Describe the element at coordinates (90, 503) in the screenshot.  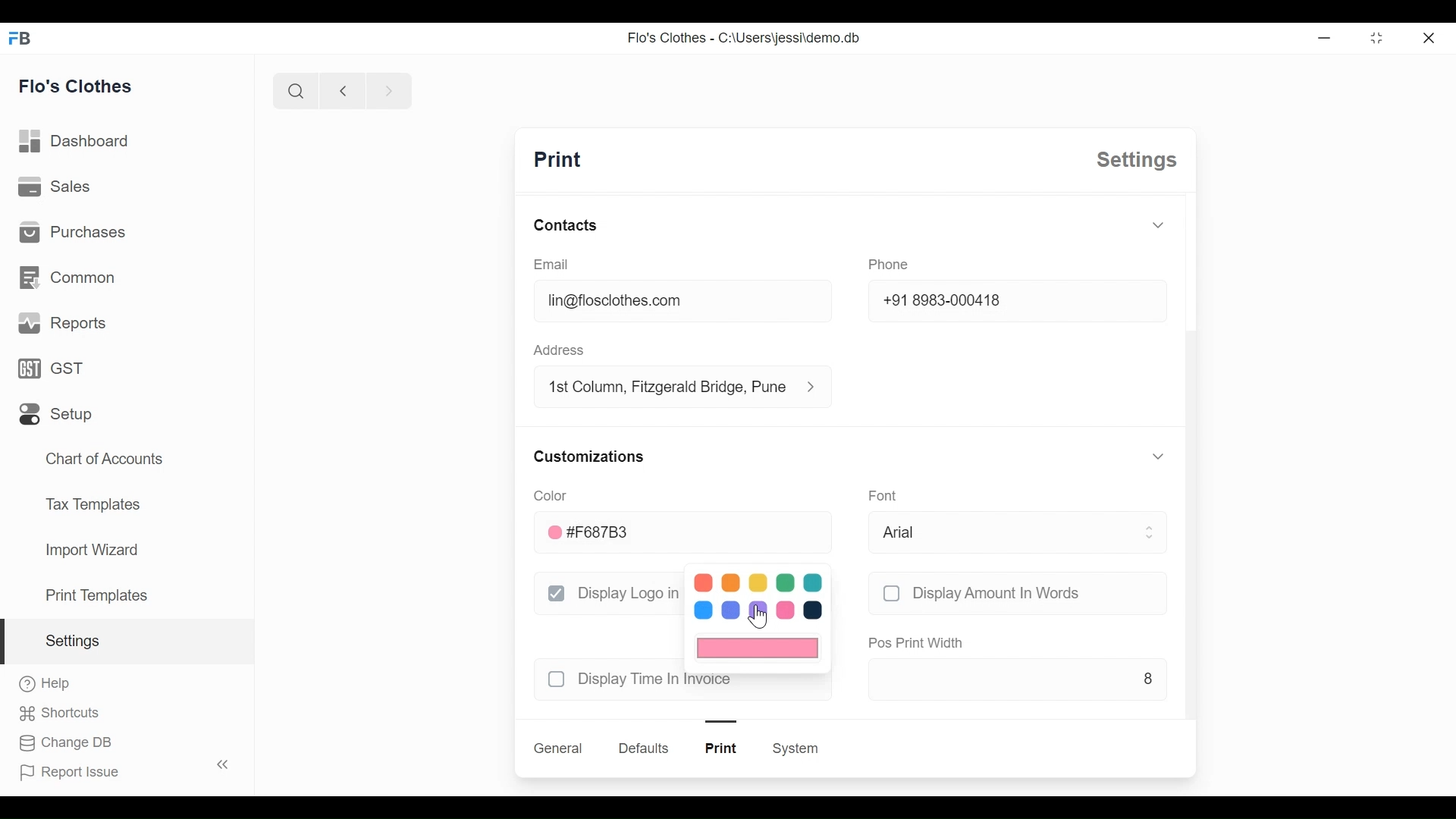
I see `tax templates` at that location.